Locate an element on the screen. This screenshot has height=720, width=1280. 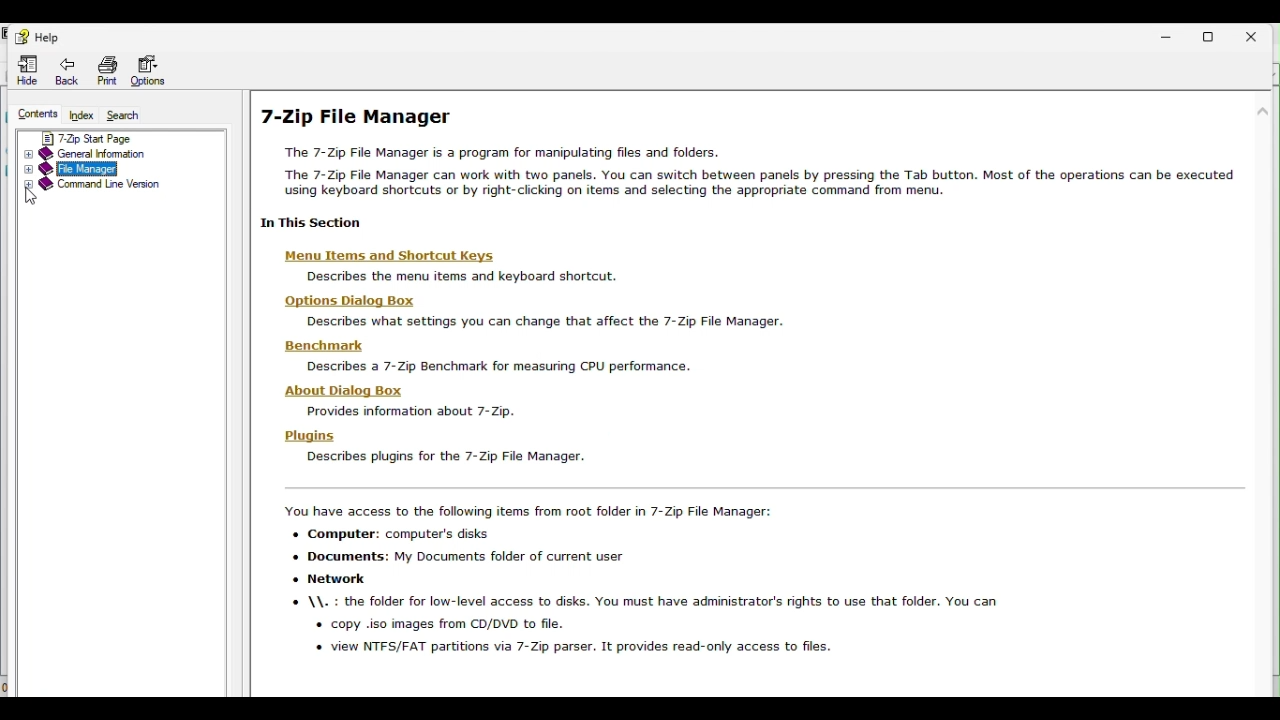
Help  is located at coordinates (37, 33).